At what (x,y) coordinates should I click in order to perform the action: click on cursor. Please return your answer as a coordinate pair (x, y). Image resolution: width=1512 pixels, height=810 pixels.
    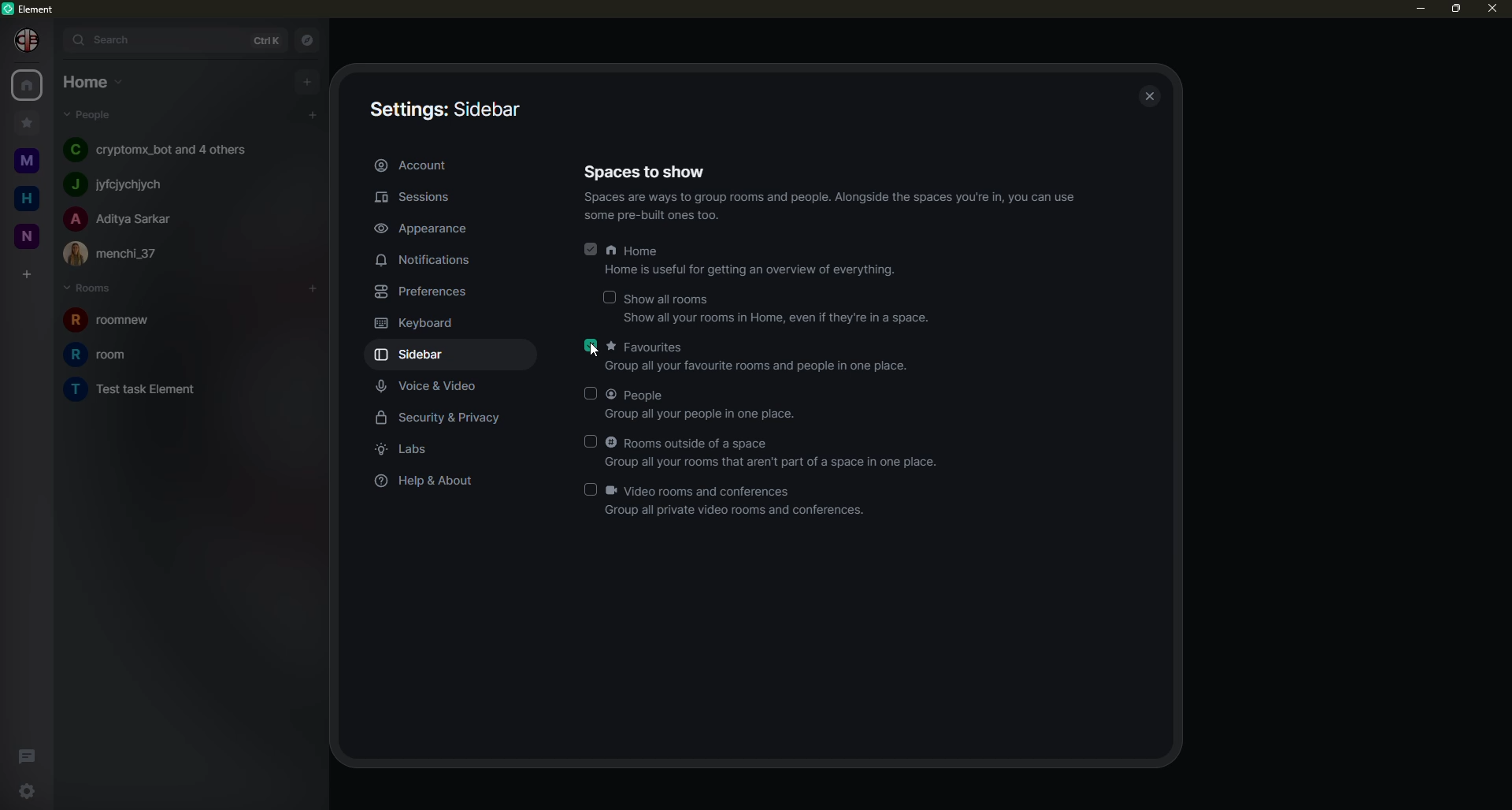
    Looking at the image, I should click on (601, 357).